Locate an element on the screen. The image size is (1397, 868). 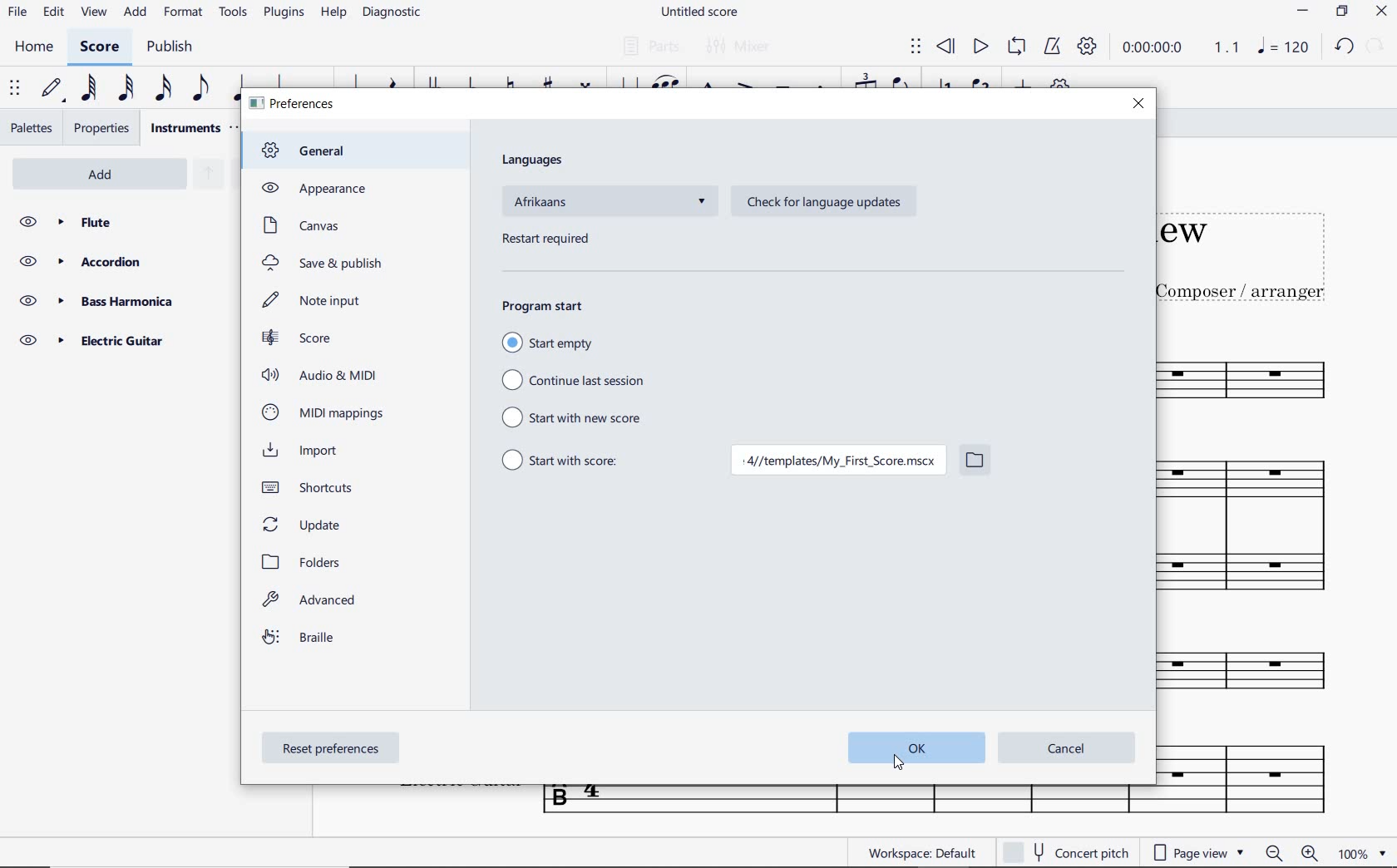
workspace: default is located at coordinates (923, 852).